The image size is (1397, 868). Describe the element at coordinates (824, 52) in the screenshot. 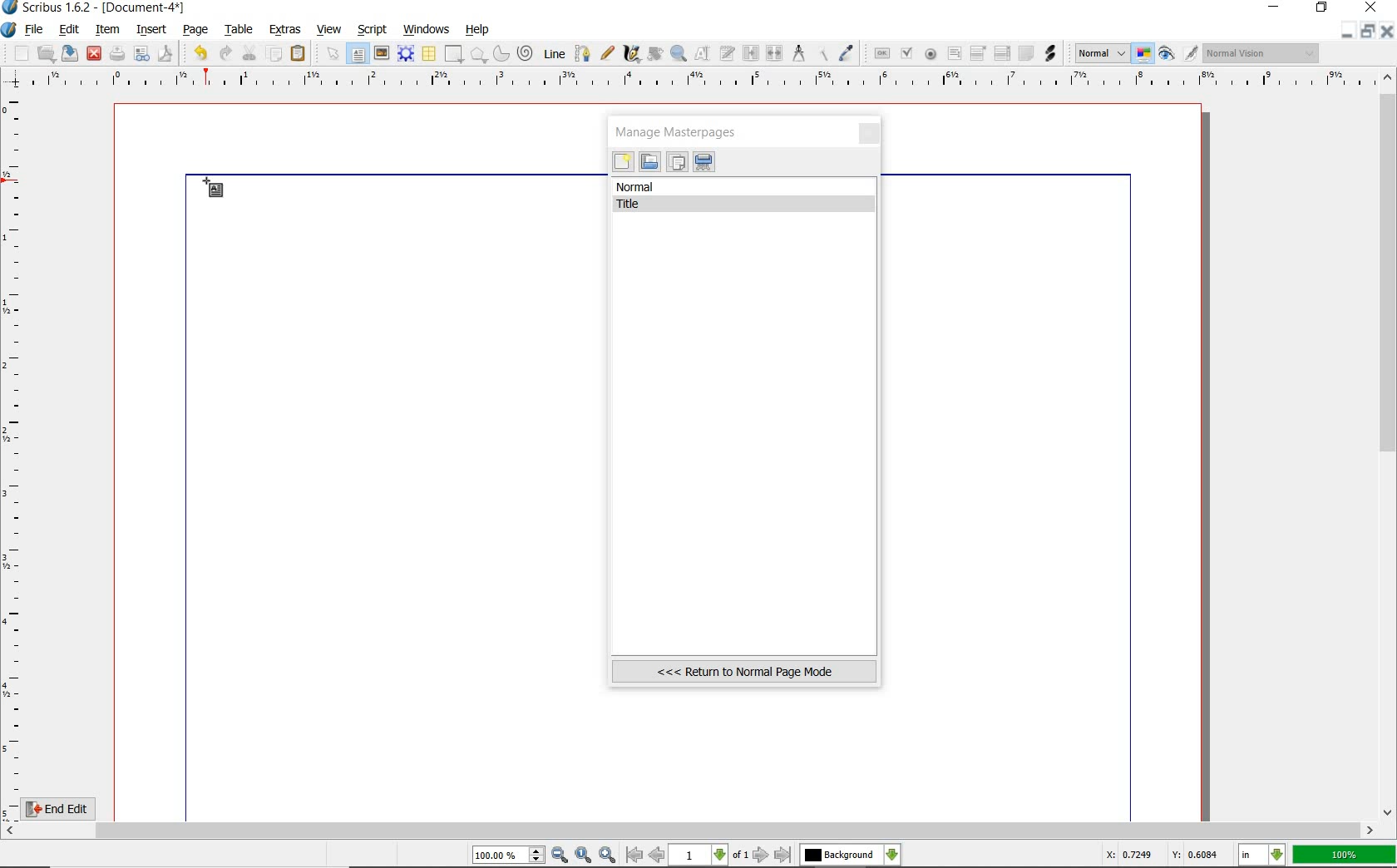

I see `copy item properties` at that location.